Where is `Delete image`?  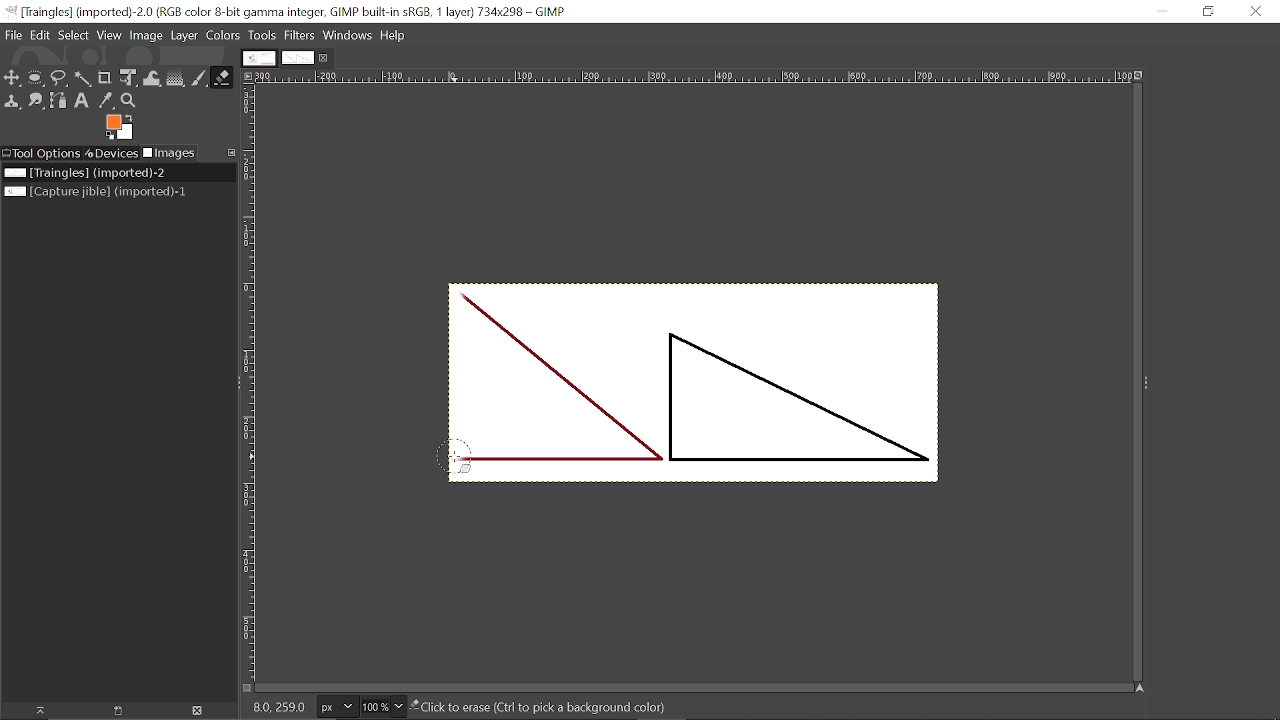 Delete image is located at coordinates (196, 712).